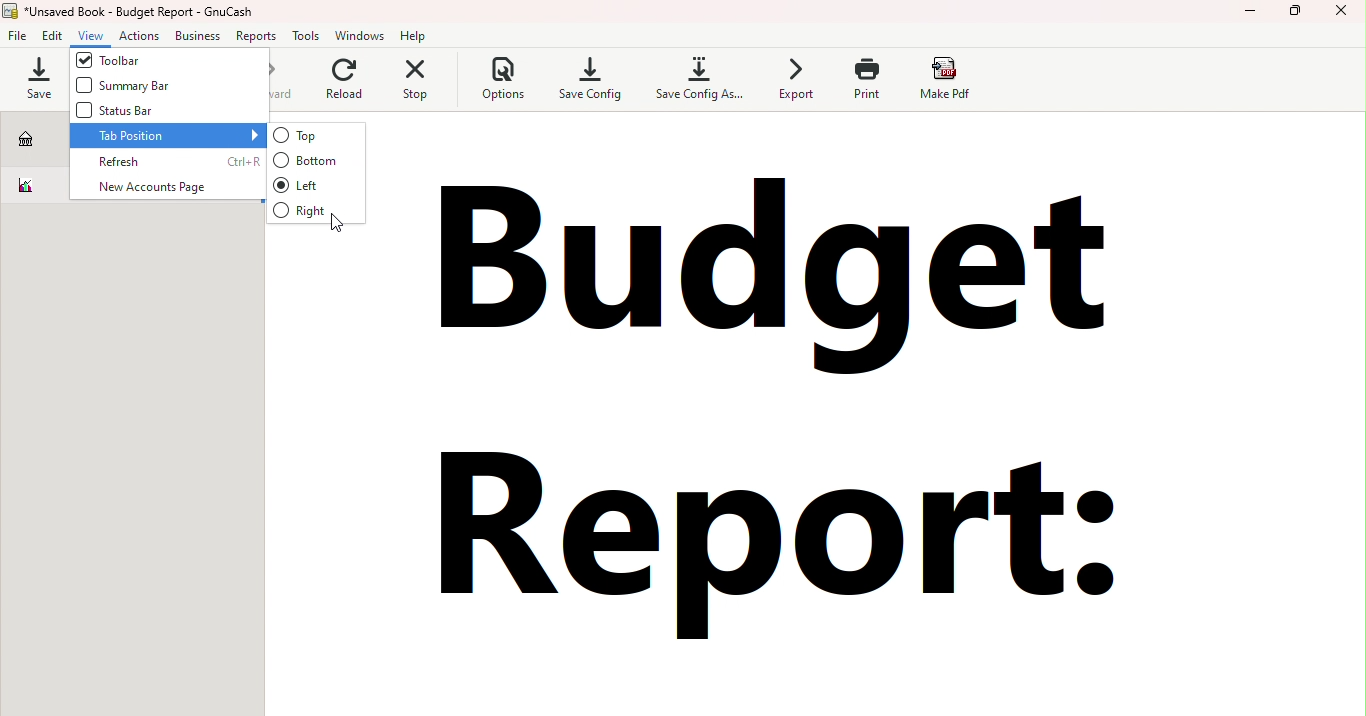 The image size is (1366, 716). Describe the element at coordinates (586, 78) in the screenshot. I see `Save config` at that location.